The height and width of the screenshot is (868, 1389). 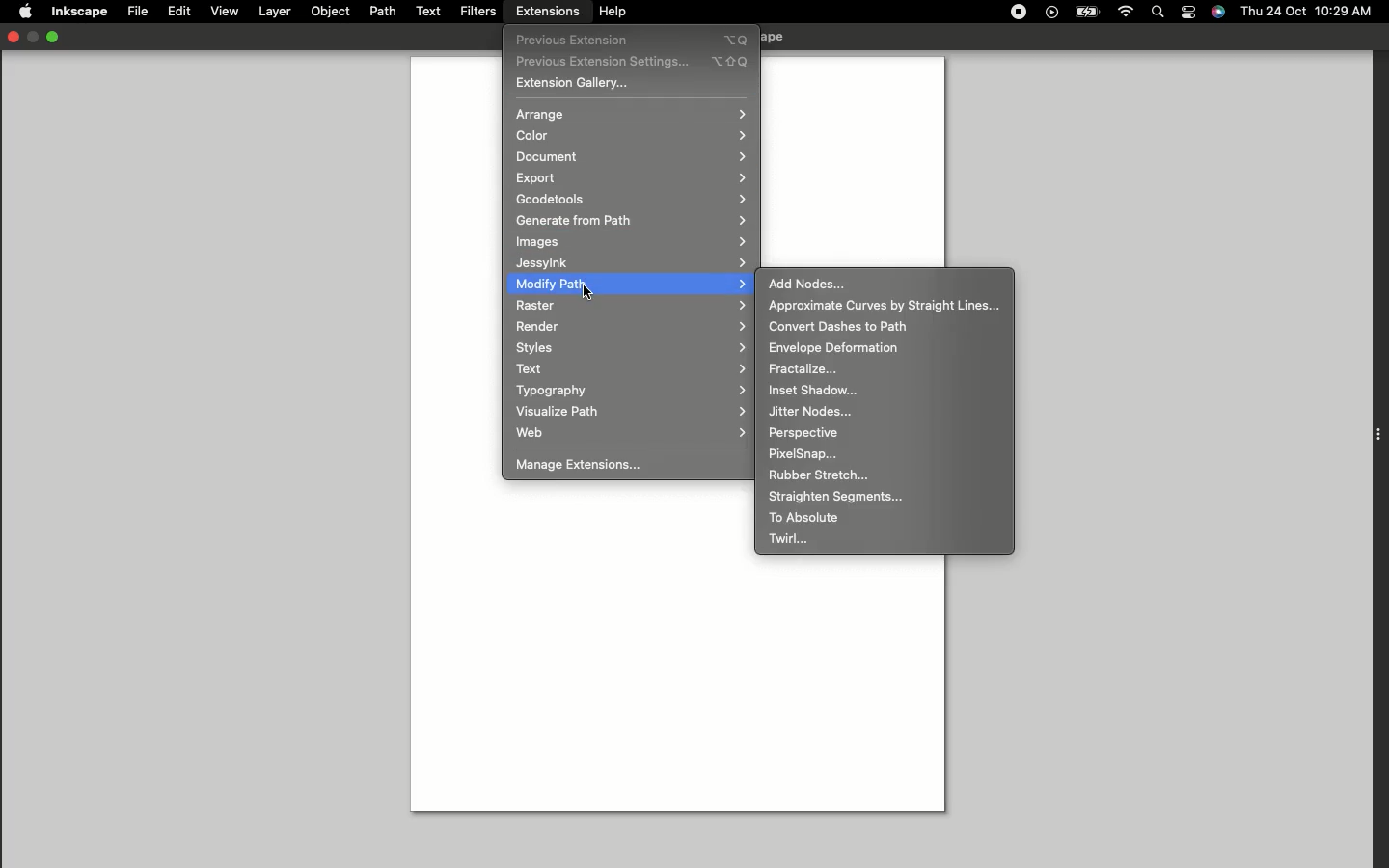 I want to click on Convert dashes to path, so click(x=839, y=326).